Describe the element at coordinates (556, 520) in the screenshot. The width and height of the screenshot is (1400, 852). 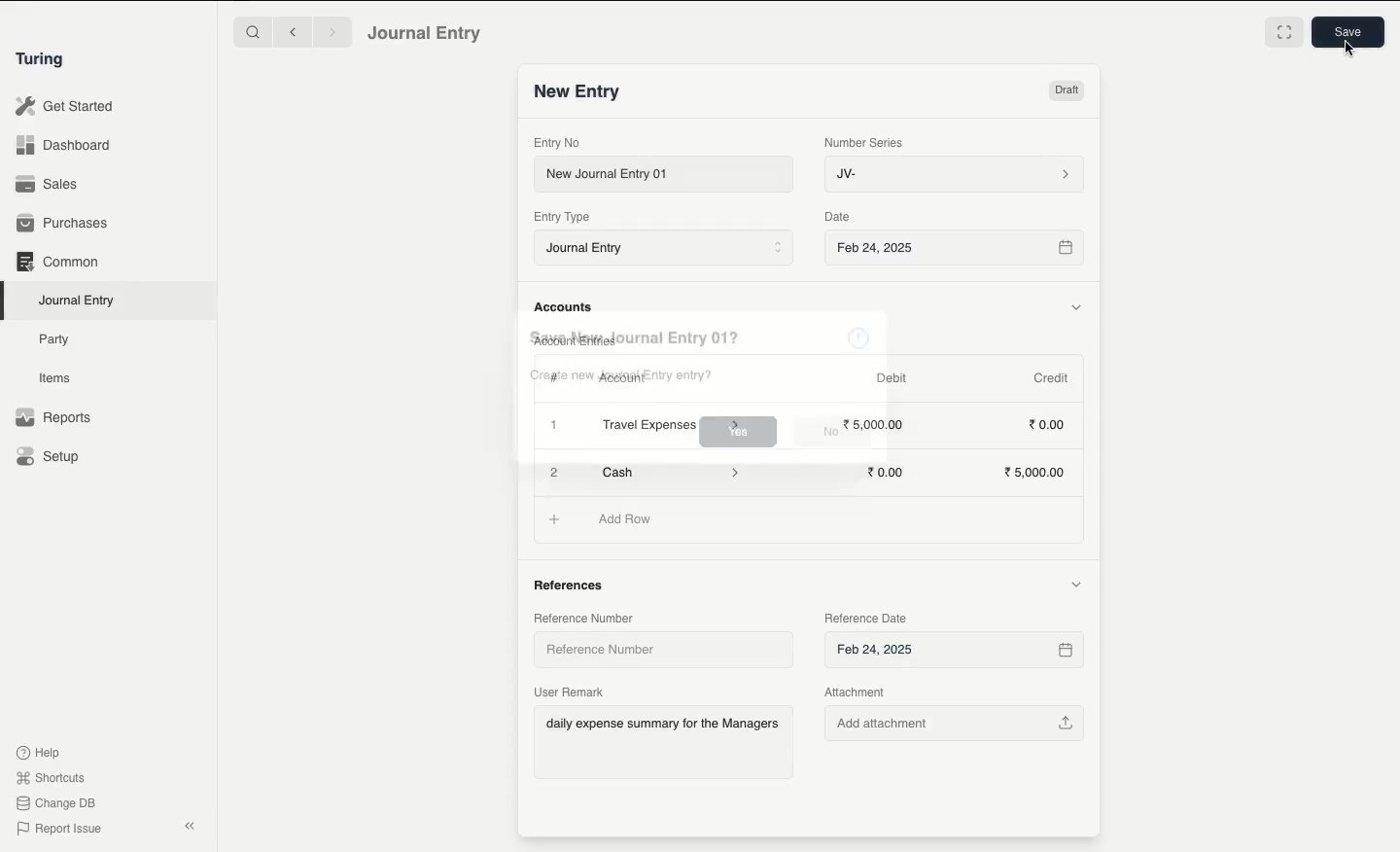
I see `Add` at that location.